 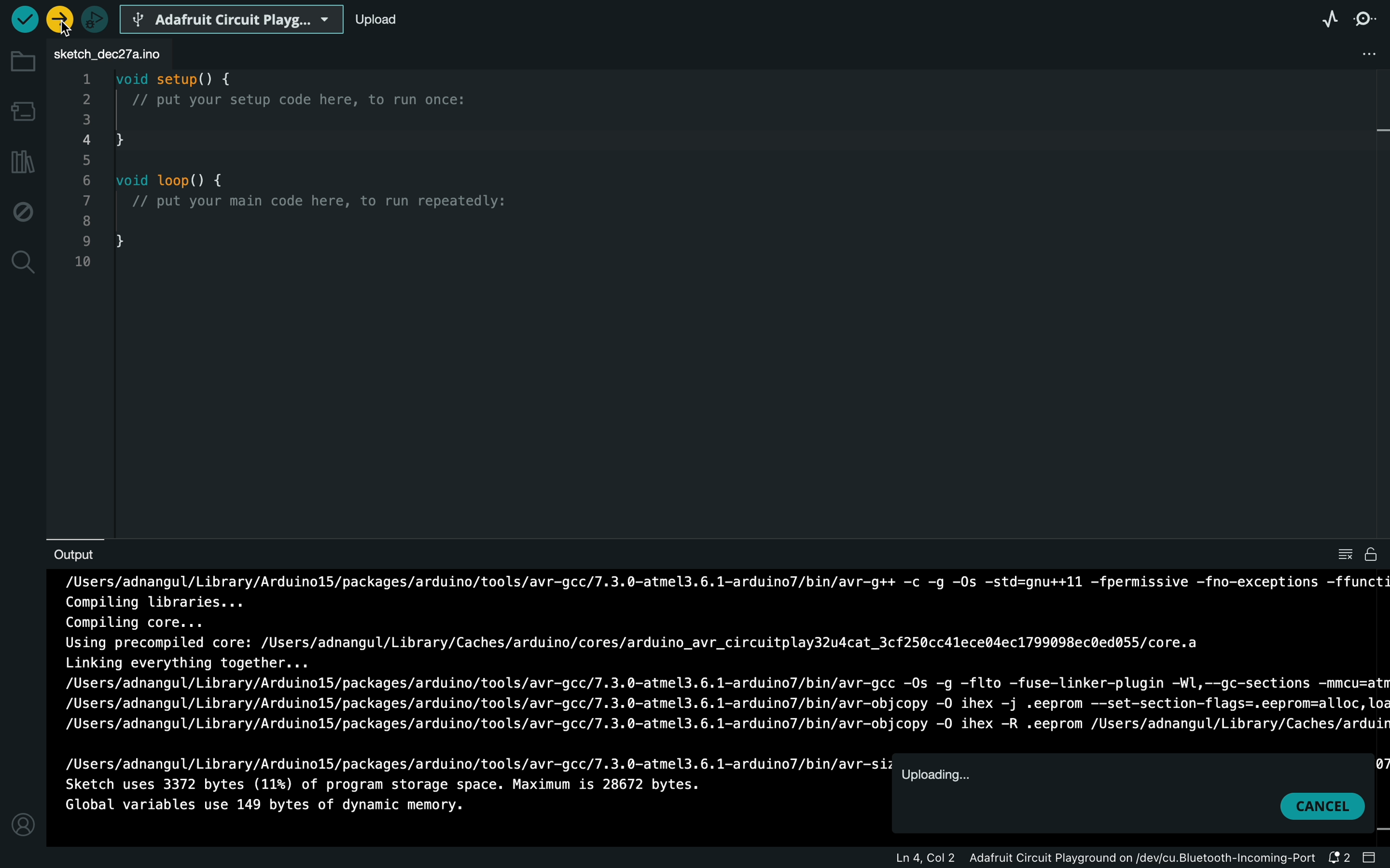 What do you see at coordinates (1101, 858) in the screenshot?
I see `file information` at bounding box center [1101, 858].